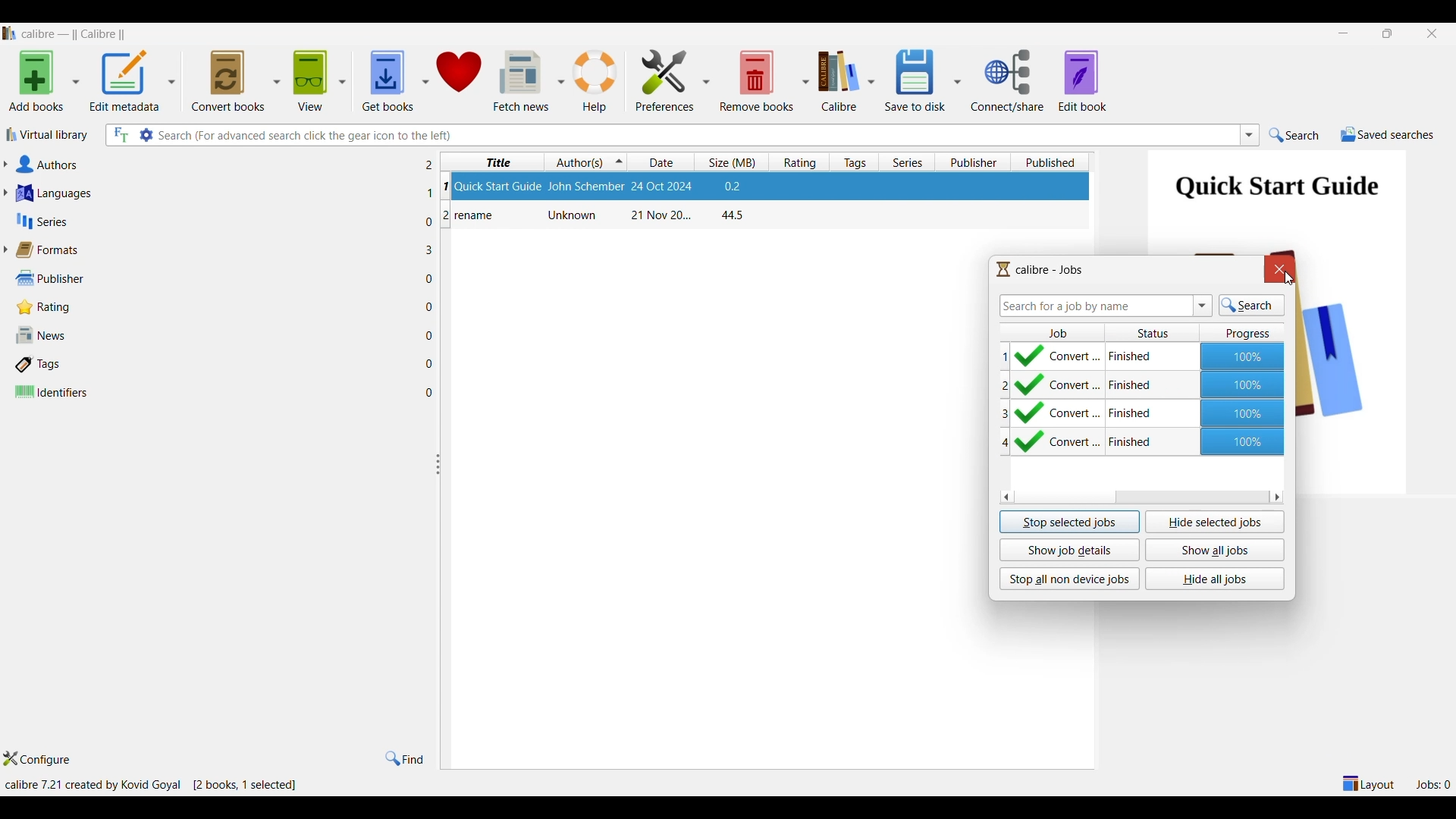 Image resolution: width=1456 pixels, height=819 pixels. Describe the element at coordinates (871, 82) in the screenshot. I see `Calibre options` at that location.